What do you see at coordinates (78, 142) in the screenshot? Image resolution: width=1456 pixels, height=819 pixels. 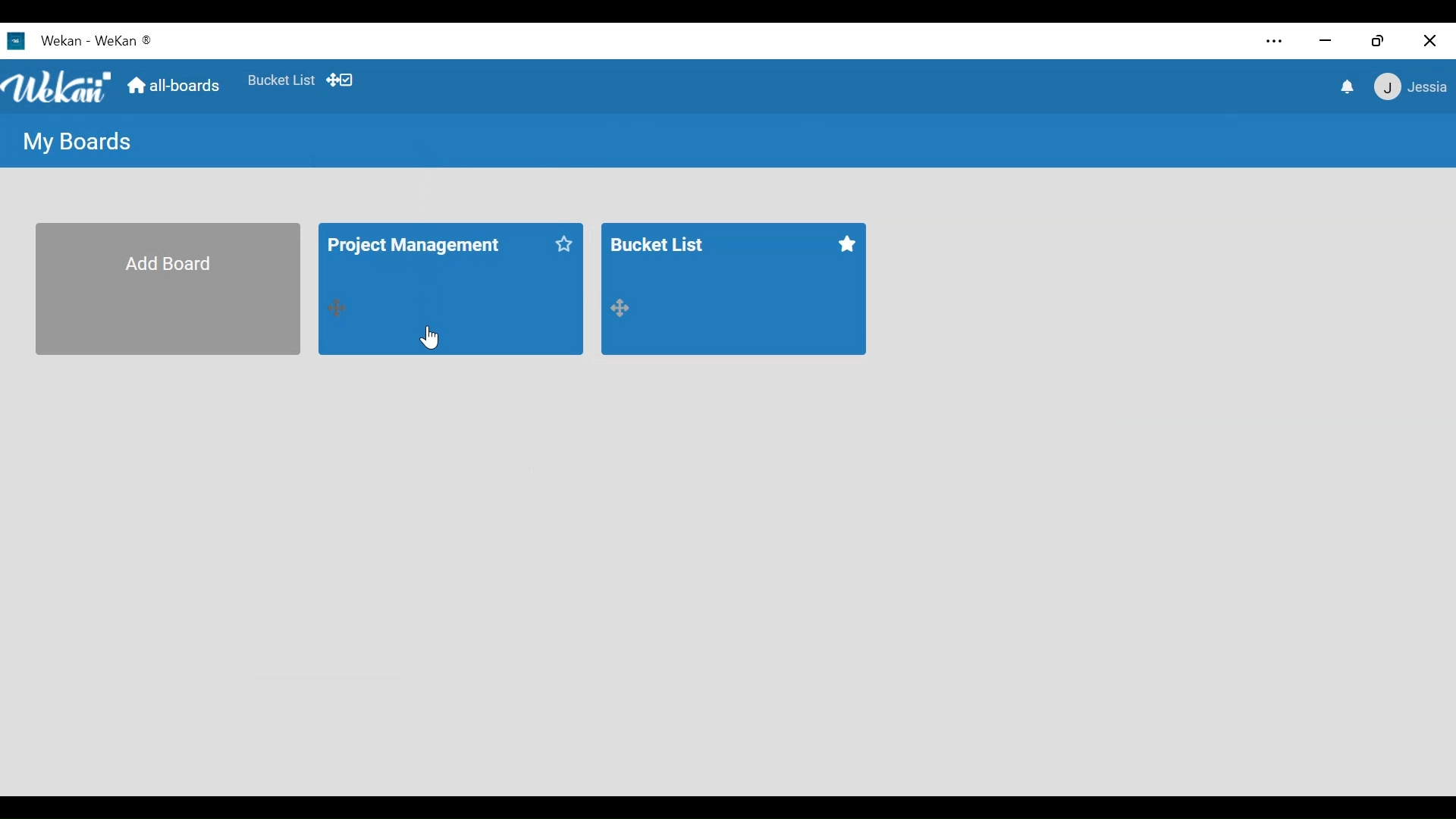 I see `My Boards` at bounding box center [78, 142].